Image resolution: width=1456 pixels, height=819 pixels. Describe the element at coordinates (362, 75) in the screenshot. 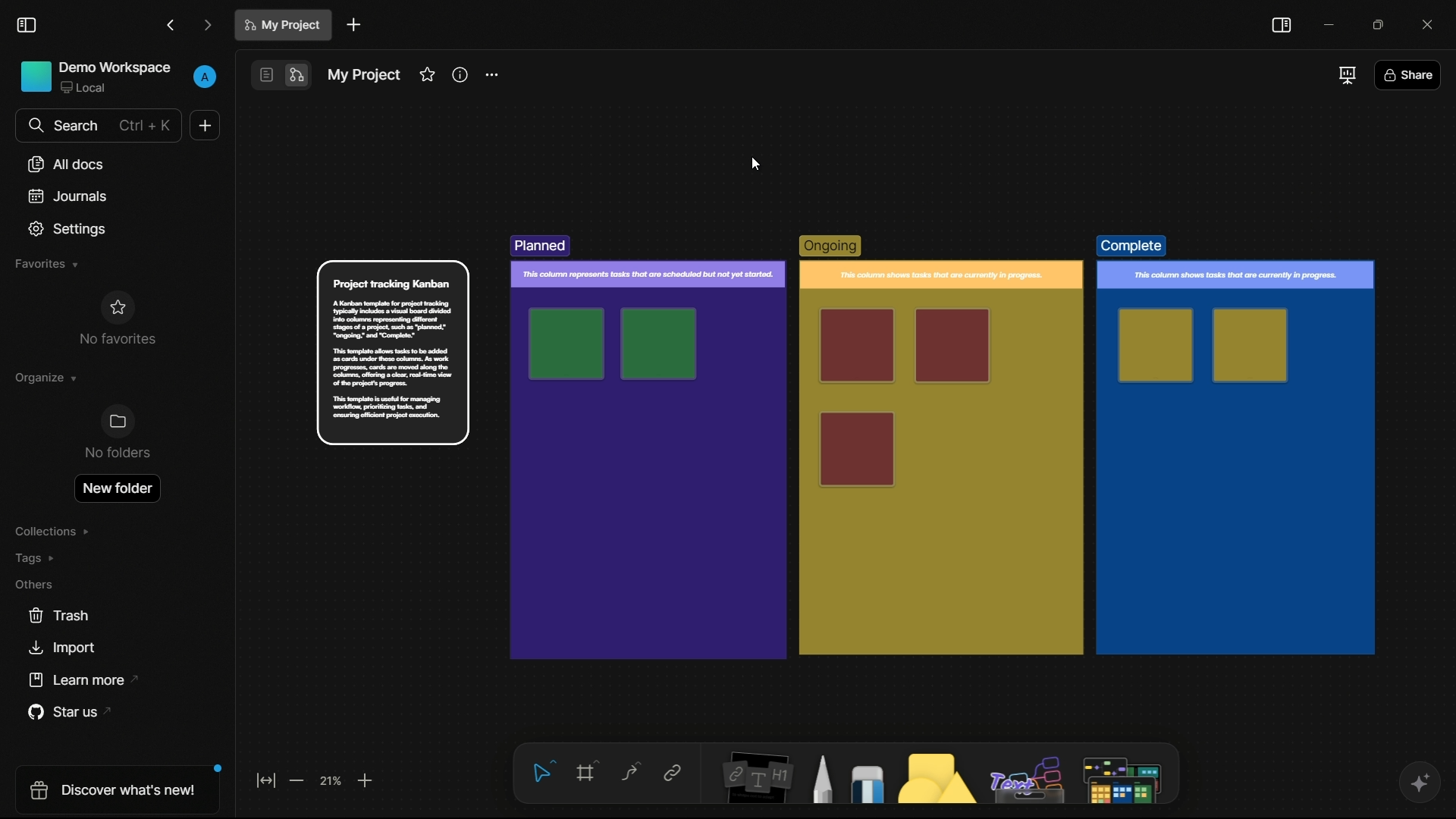

I see `document name` at that location.